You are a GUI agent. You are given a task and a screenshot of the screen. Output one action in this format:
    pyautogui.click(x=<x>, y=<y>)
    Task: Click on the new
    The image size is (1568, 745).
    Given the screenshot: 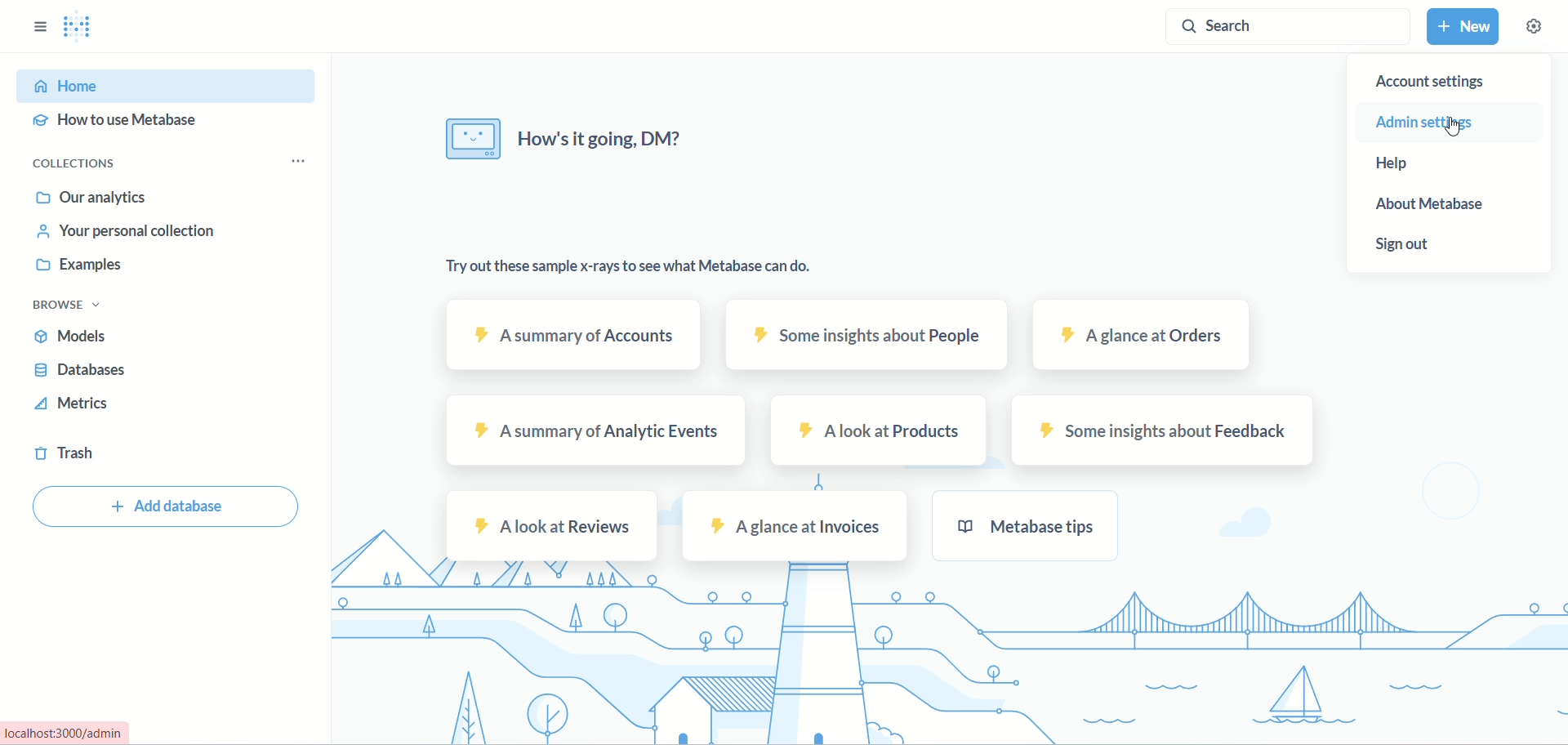 What is the action you would take?
    pyautogui.click(x=1463, y=26)
    